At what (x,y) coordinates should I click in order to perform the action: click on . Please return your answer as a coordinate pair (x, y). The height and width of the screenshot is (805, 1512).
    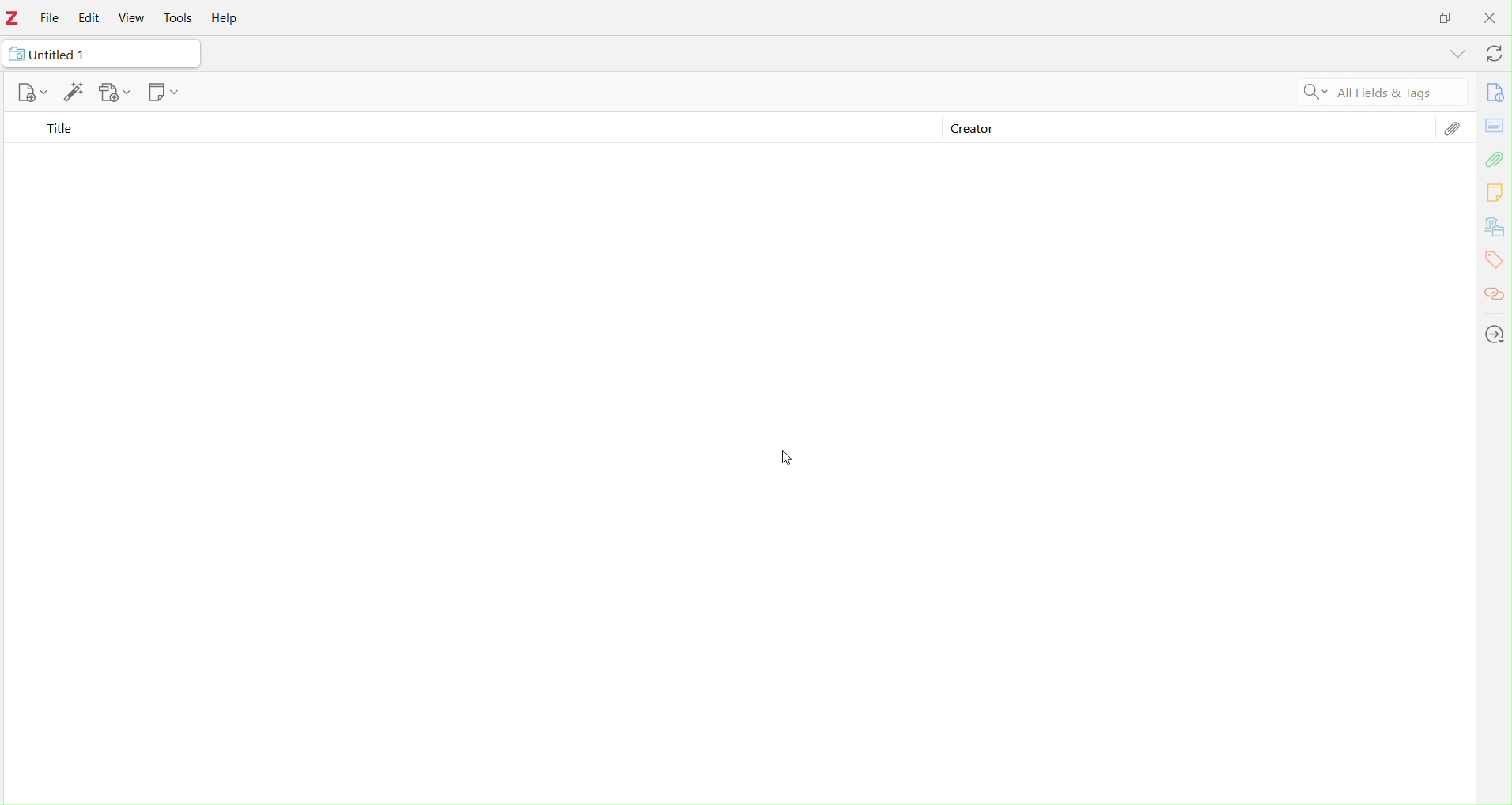
    Looking at the image, I should click on (15, 21).